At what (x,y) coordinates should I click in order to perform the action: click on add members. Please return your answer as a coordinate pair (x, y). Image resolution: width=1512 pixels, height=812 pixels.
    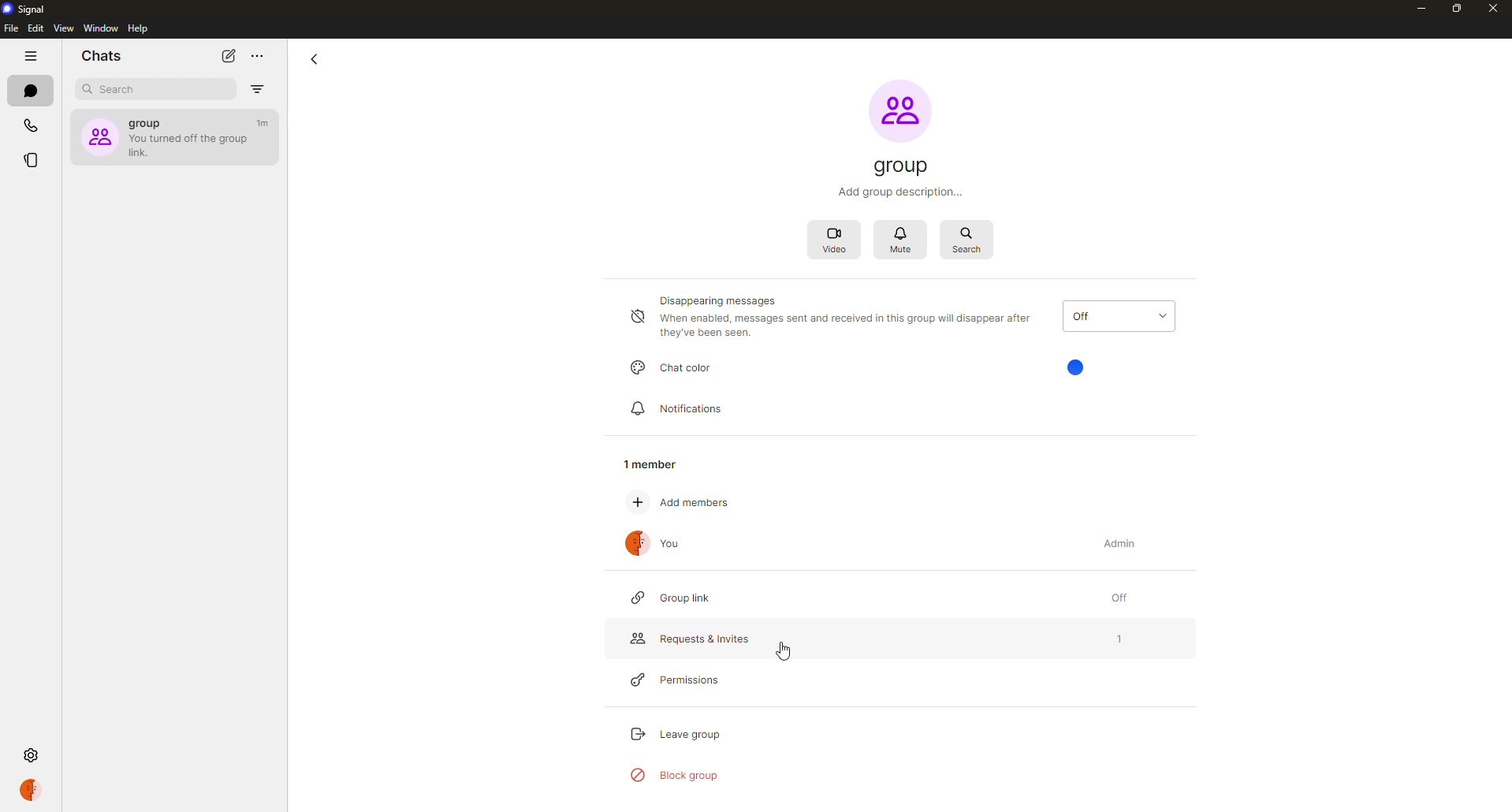
    Looking at the image, I should click on (691, 504).